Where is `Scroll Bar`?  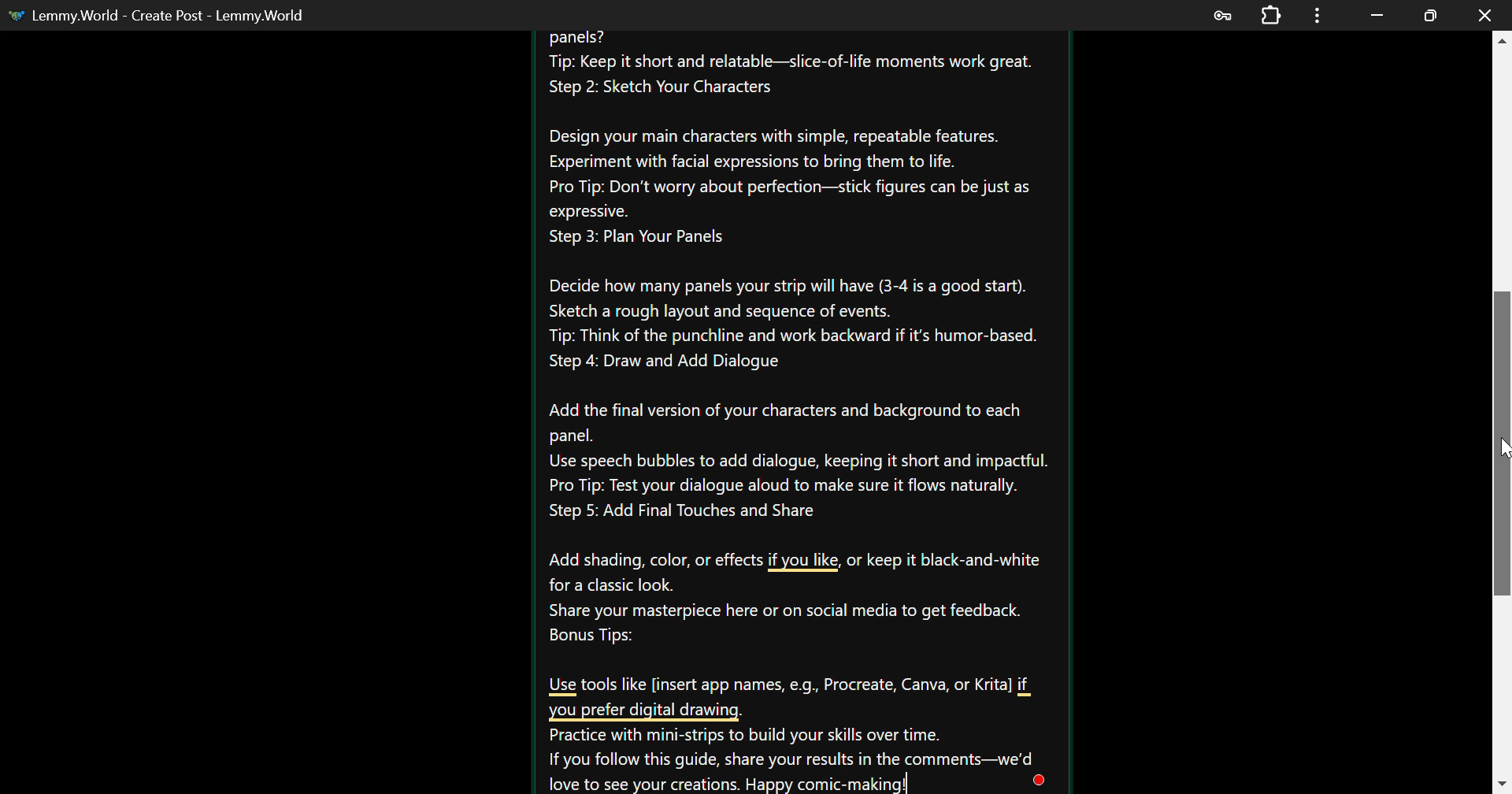
Scroll Bar is located at coordinates (1503, 409).